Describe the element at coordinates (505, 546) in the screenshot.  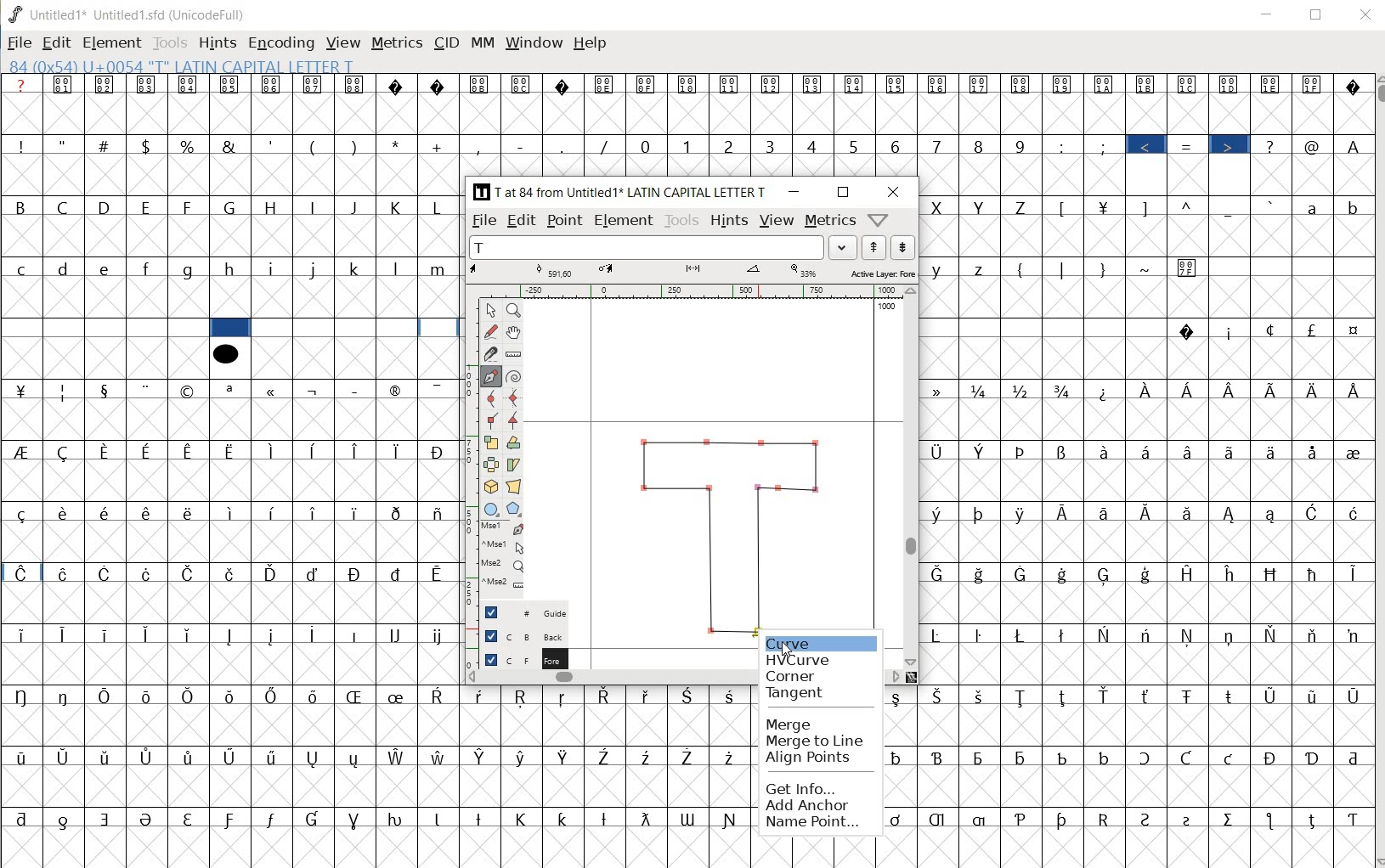
I see `Mouse left button + Ctrl` at that location.